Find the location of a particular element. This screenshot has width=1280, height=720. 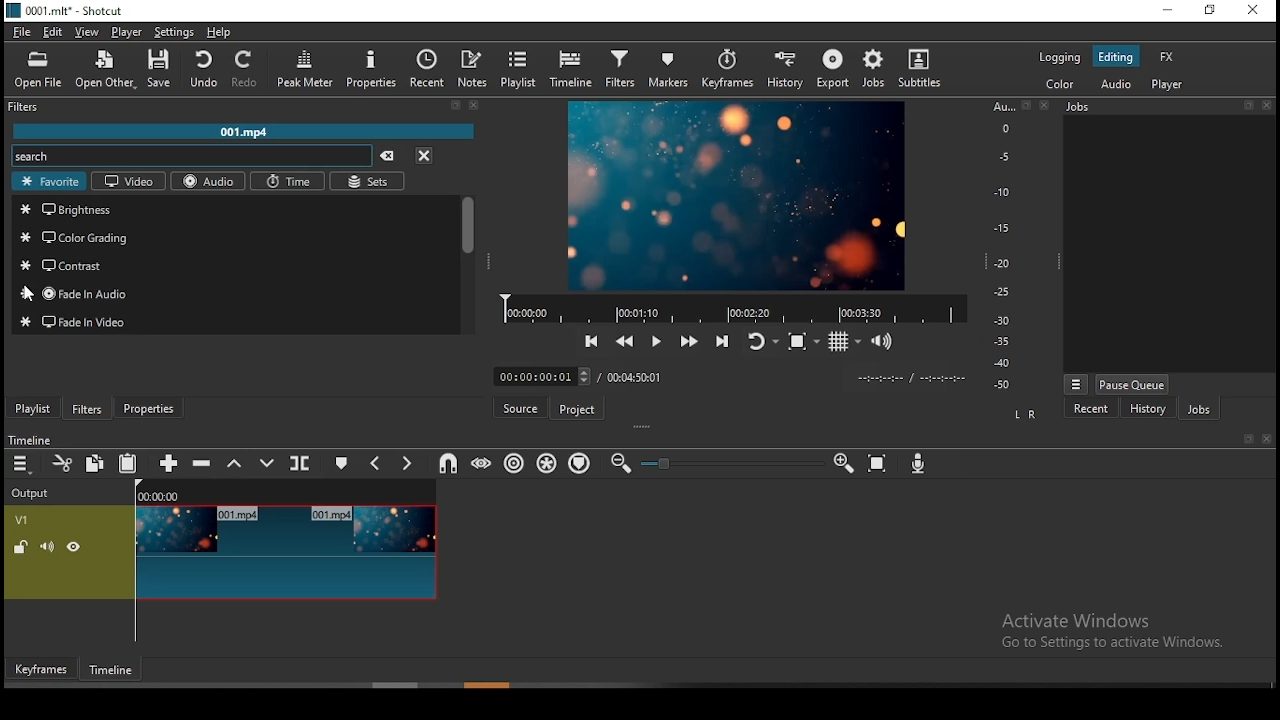

zoom in or zoom out slider is located at coordinates (731, 462).